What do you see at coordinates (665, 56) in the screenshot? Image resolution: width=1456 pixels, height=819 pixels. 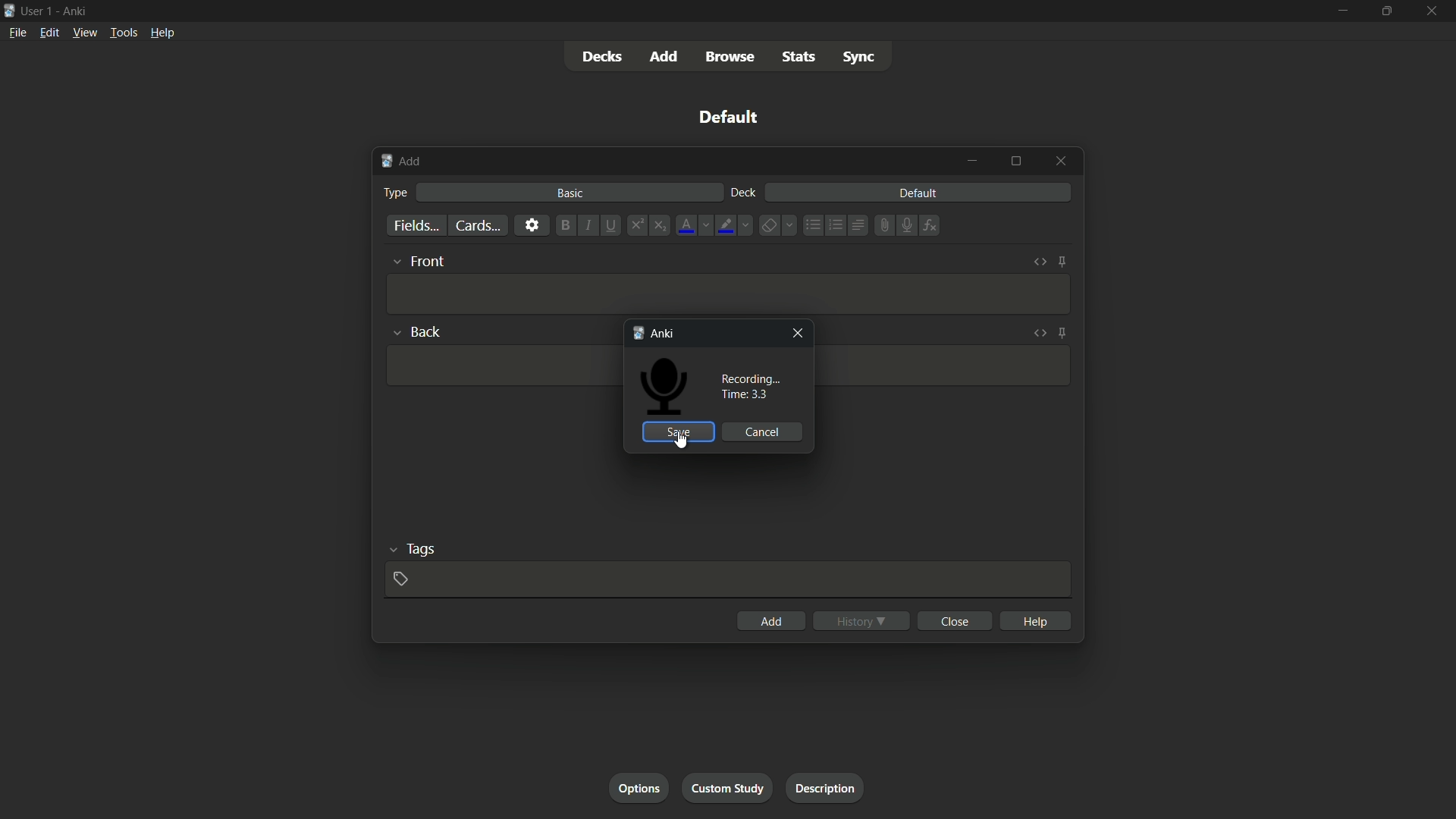 I see `add` at bounding box center [665, 56].